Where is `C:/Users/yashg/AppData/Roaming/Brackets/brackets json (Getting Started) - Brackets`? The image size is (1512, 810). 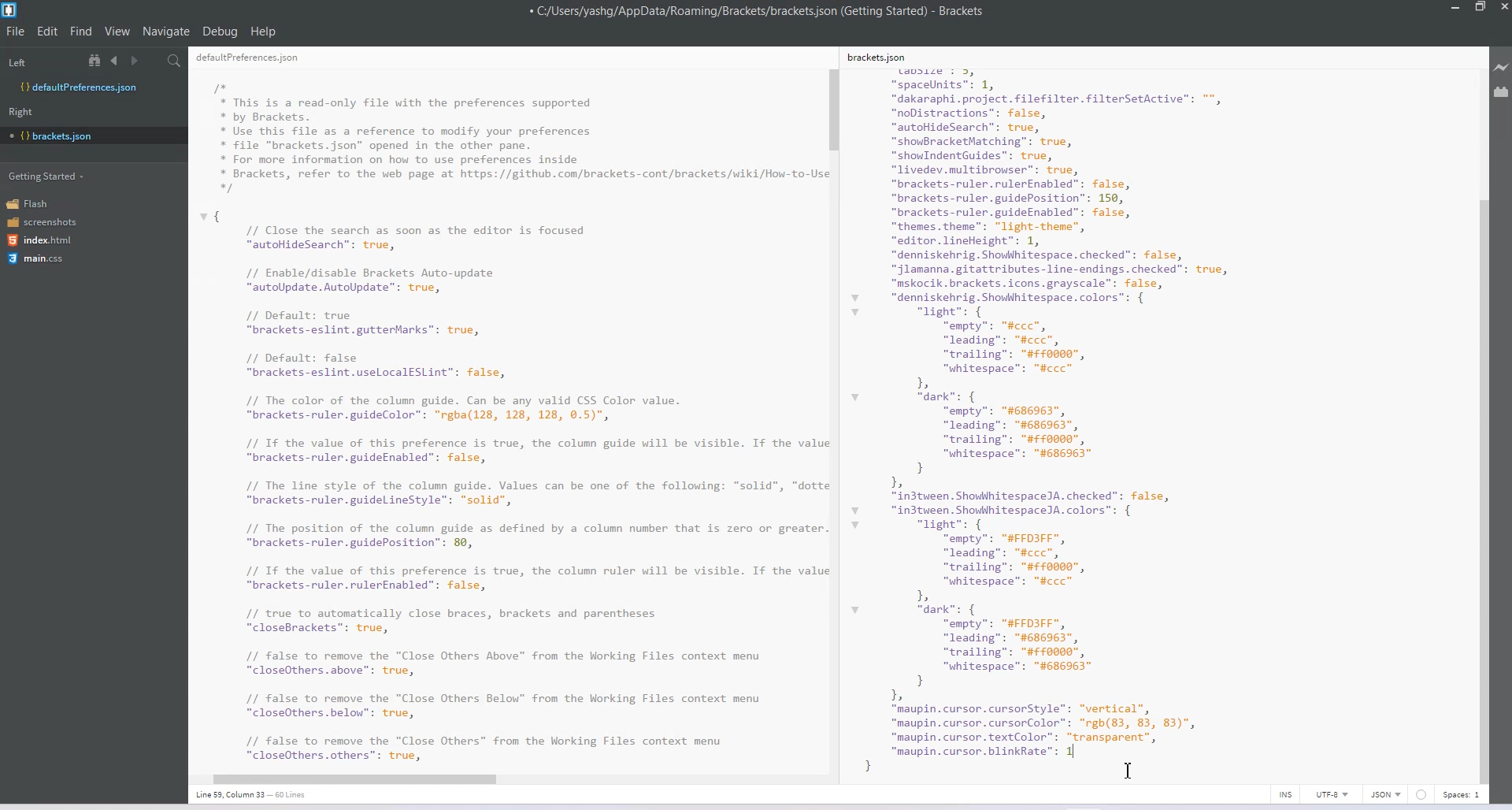 C:/Users/yashg/AppData/Roaming/Brackets/brackets json (Getting Started) - Brackets is located at coordinates (758, 11).